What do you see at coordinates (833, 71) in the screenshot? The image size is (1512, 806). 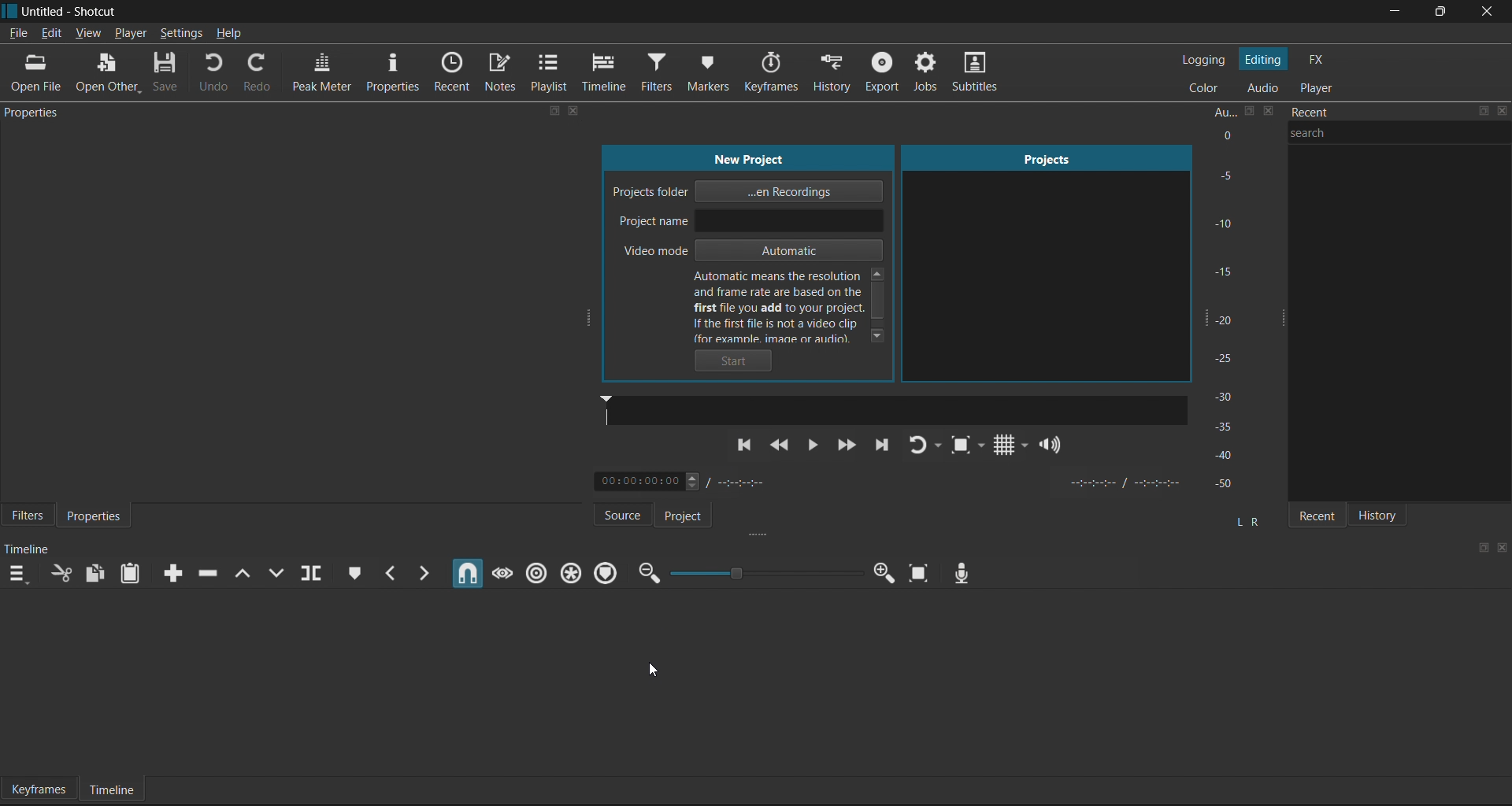 I see `History` at bounding box center [833, 71].